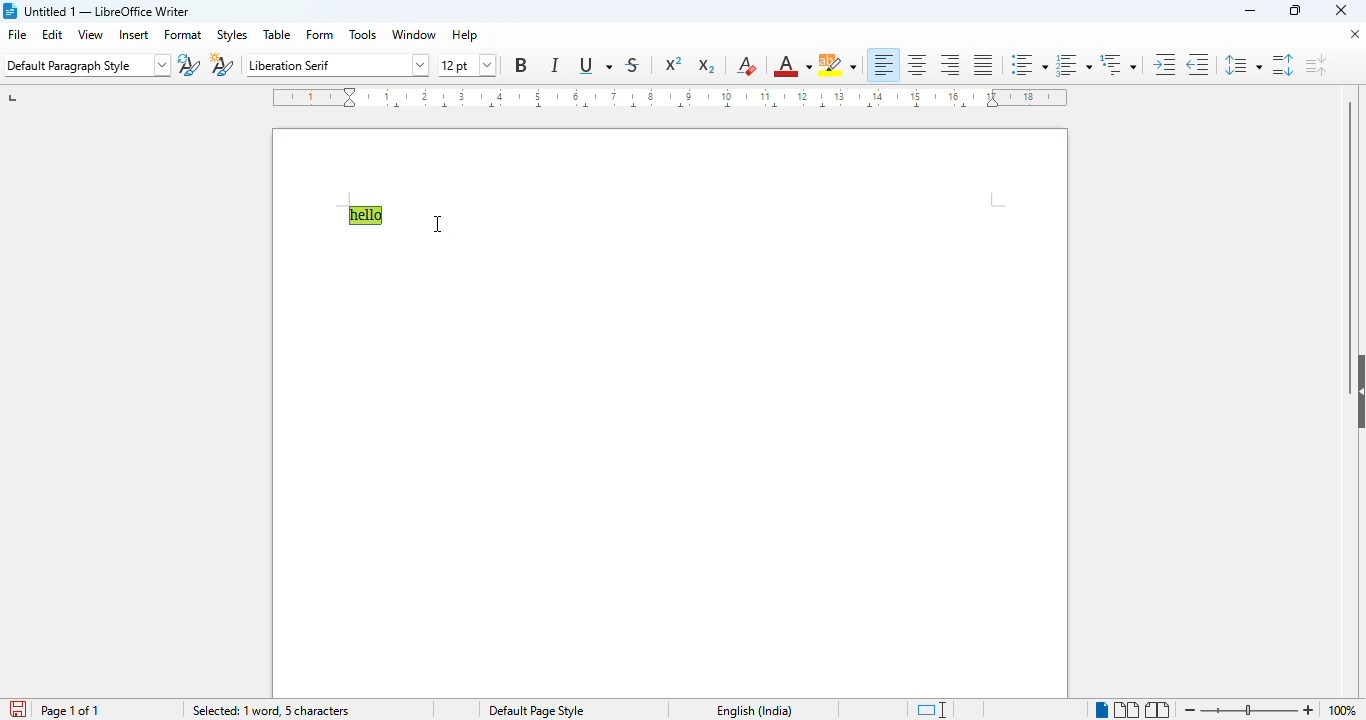 This screenshot has height=720, width=1366. Describe the element at coordinates (555, 65) in the screenshot. I see `italic` at that location.